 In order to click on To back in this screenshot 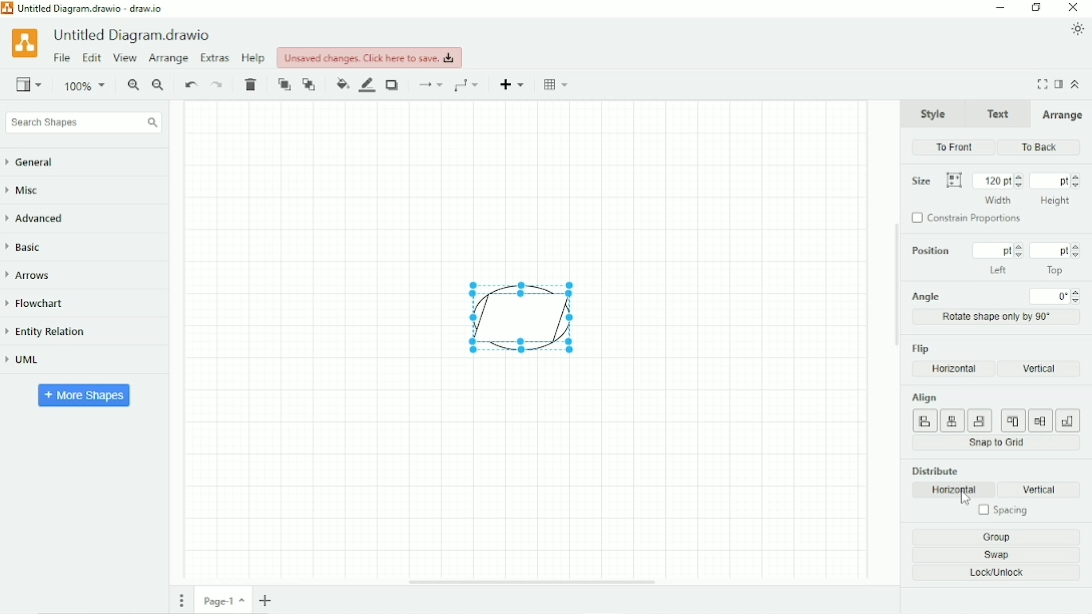, I will do `click(1036, 147)`.